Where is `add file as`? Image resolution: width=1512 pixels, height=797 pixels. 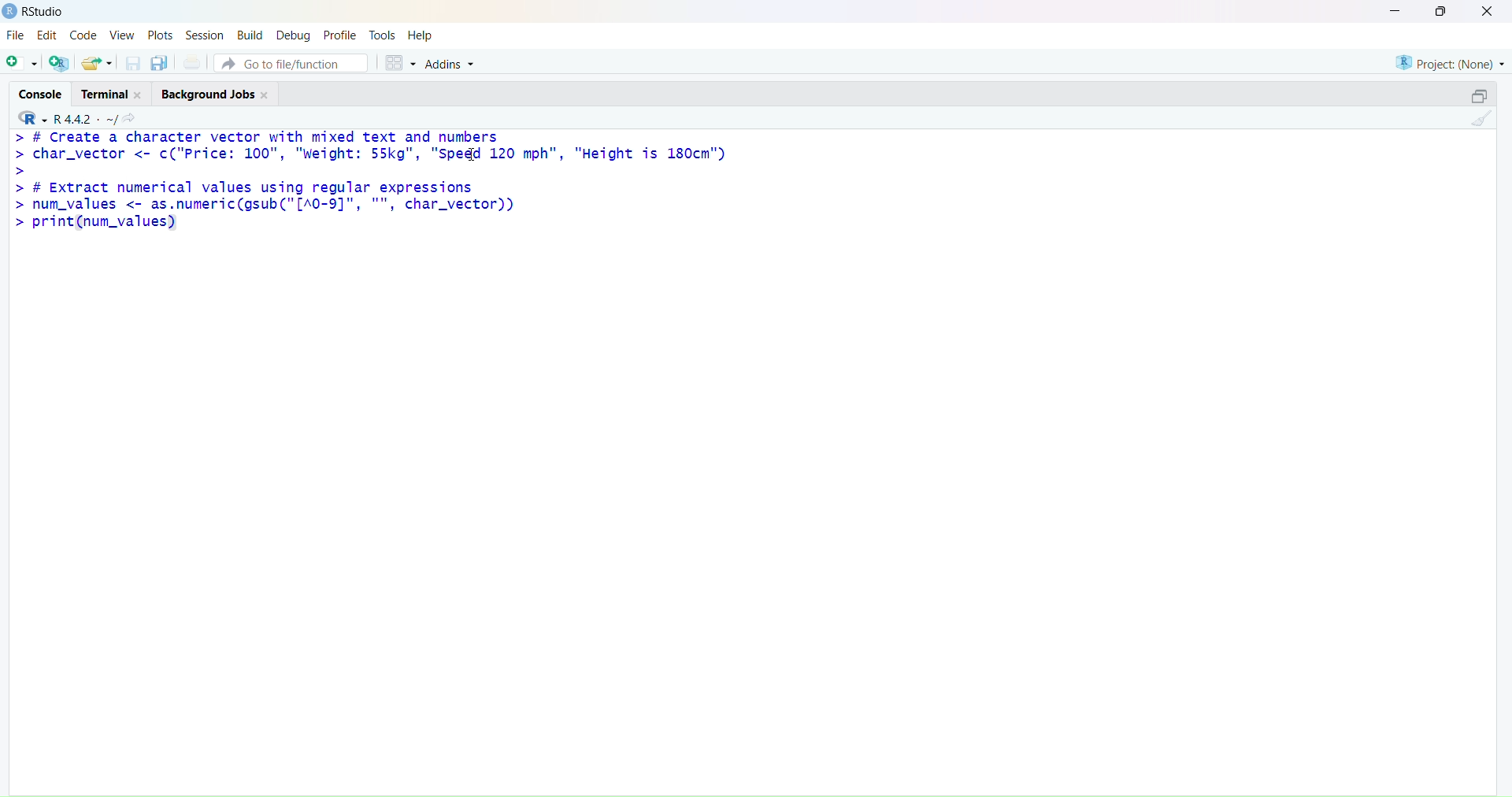
add file as is located at coordinates (22, 64).